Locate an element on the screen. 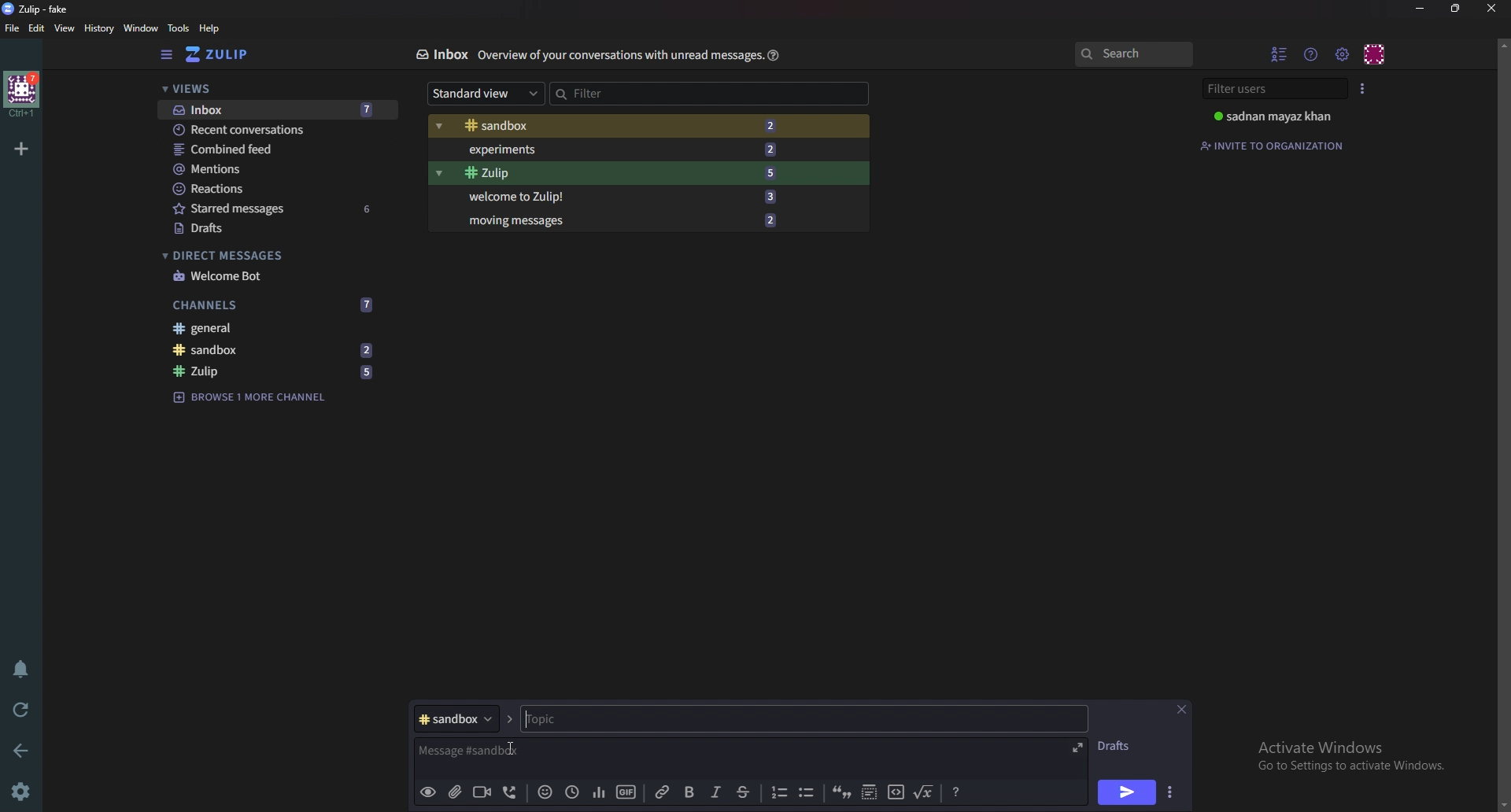 This screenshot has height=812, width=1511. Sandbox is located at coordinates (614, 127).